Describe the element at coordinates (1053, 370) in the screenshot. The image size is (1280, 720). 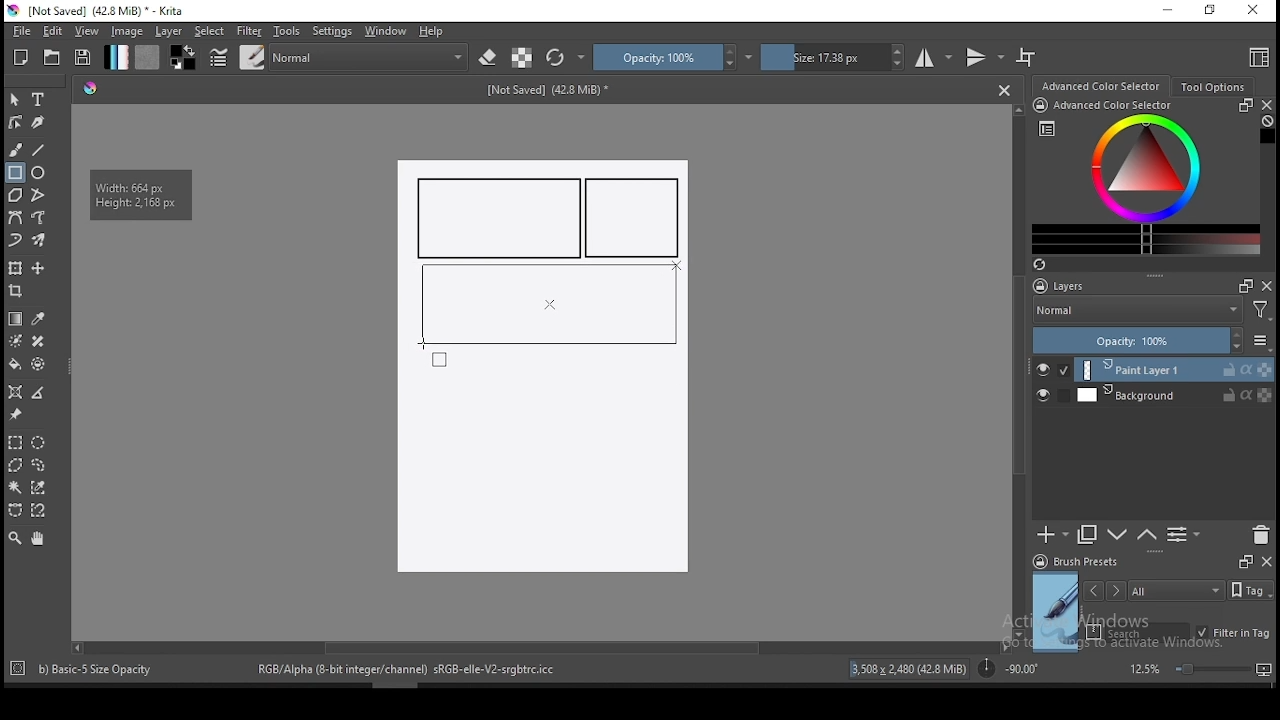
I see `layer visibility on/off` at that location.